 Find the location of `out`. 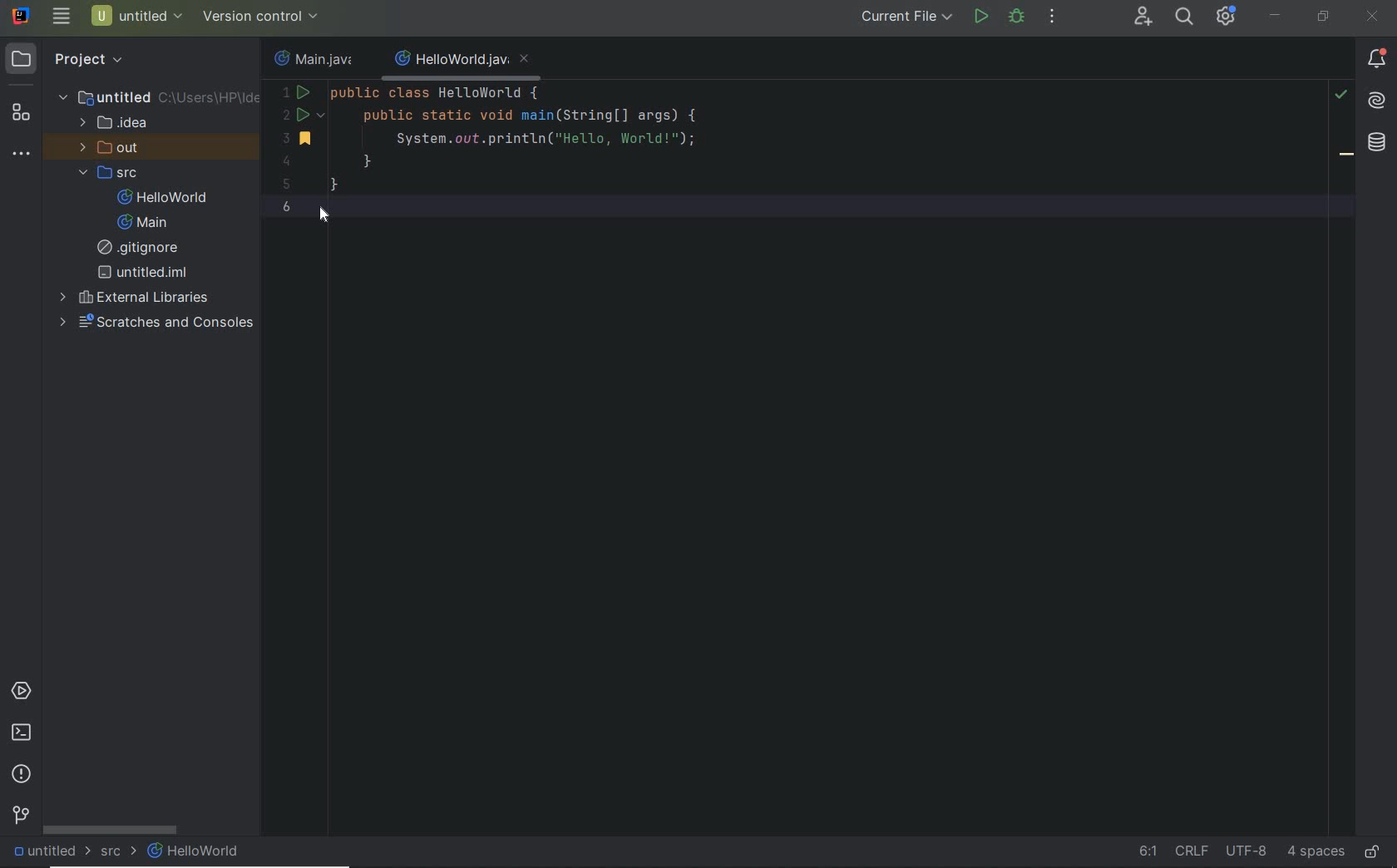

out is located at coordinates (113, 147).